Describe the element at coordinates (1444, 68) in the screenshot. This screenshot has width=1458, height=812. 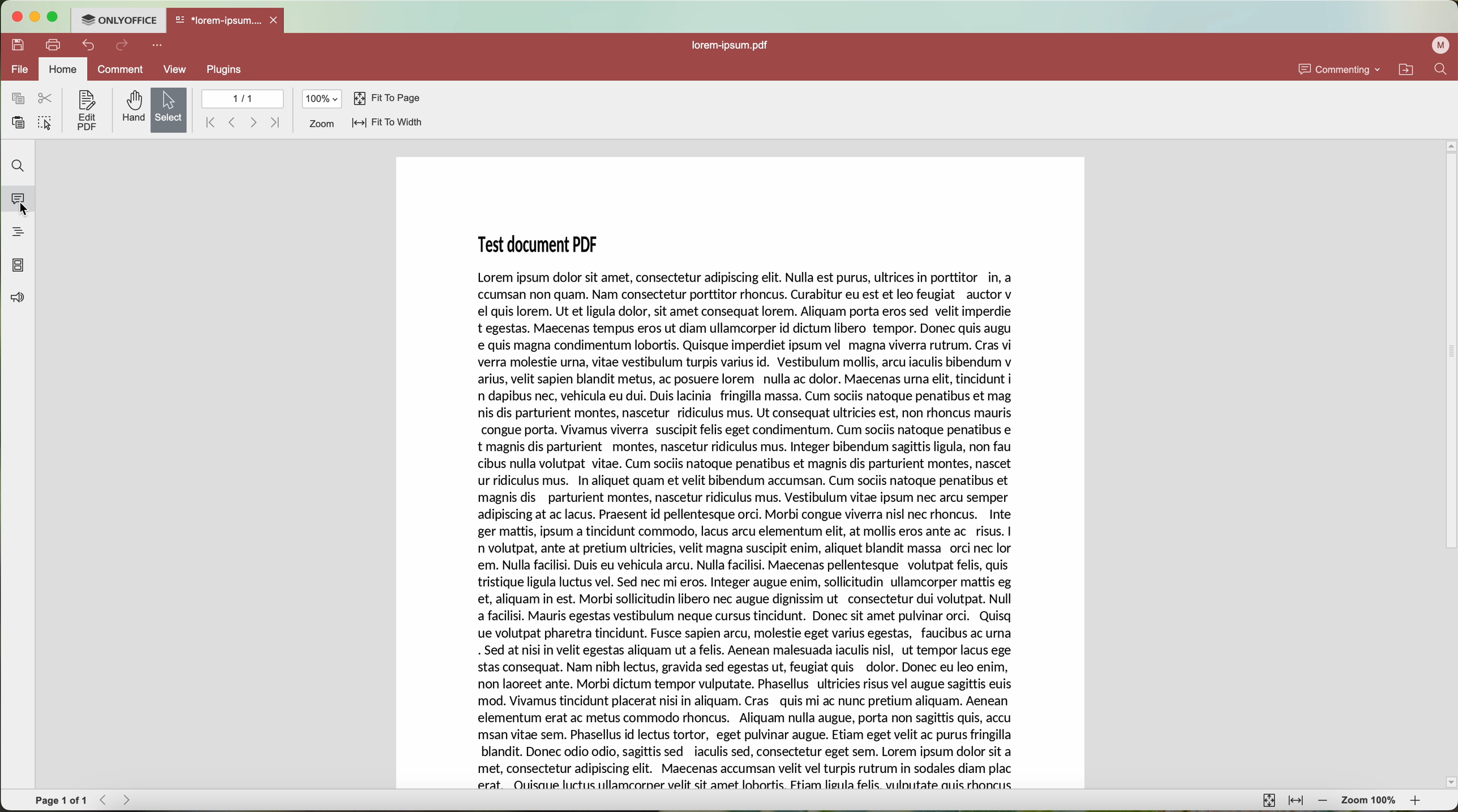
I see `search` at that location.